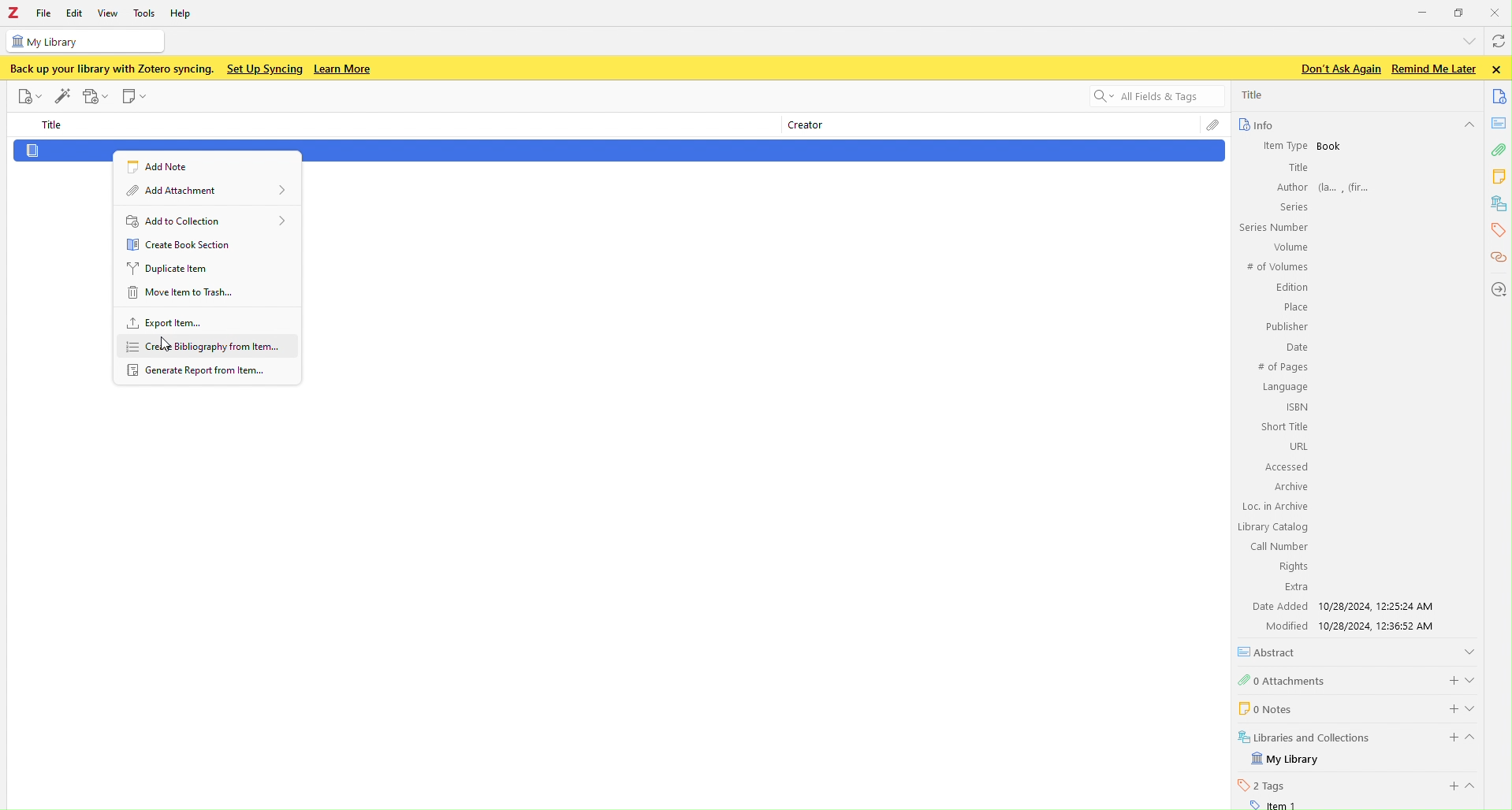  What do you see at coordinates (1282, 368) in the screenshot?
I see `# of Pages` at bounding box center [1282, 368].